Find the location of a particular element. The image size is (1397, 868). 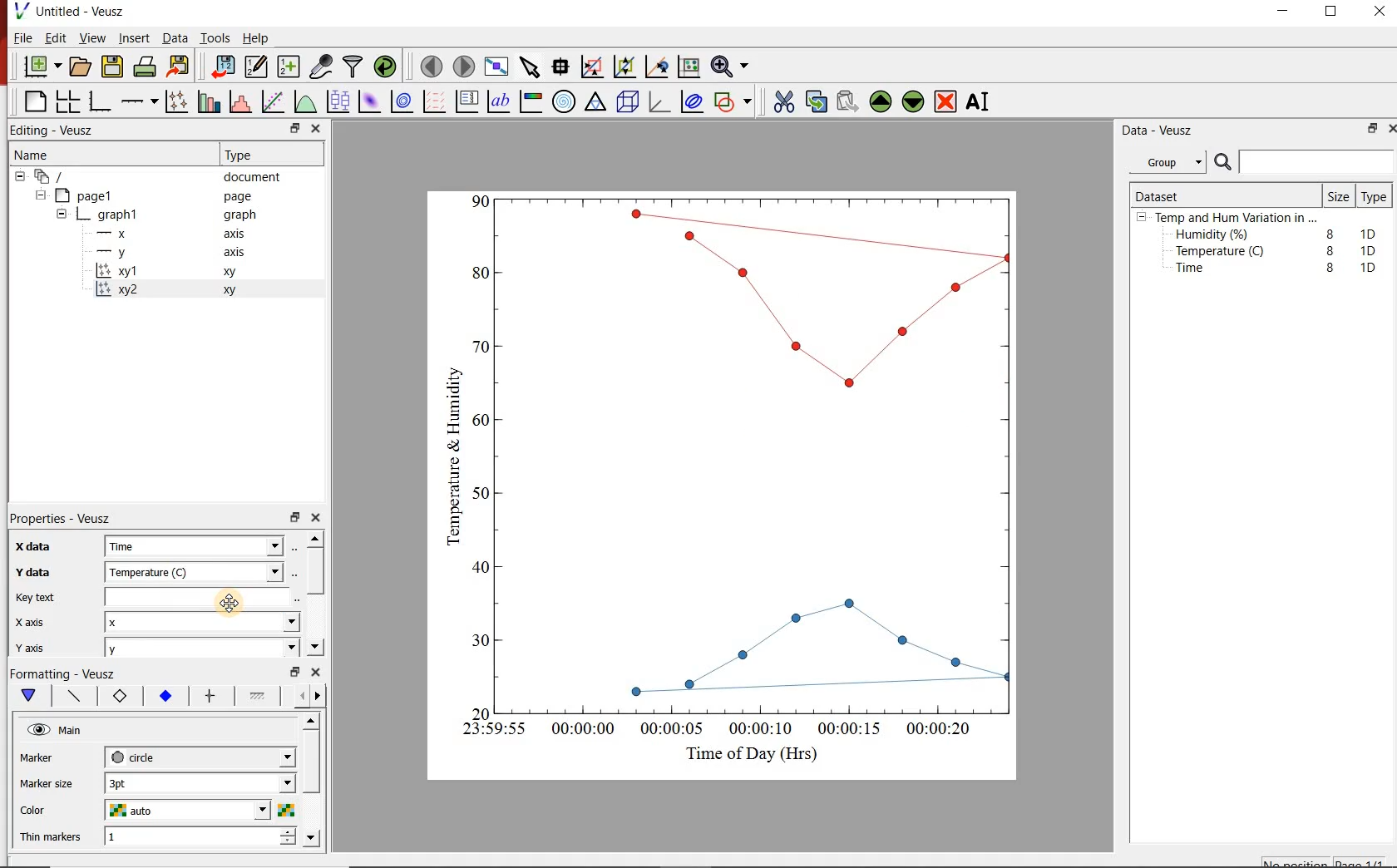

go forward is located at coordinates (321, 696).